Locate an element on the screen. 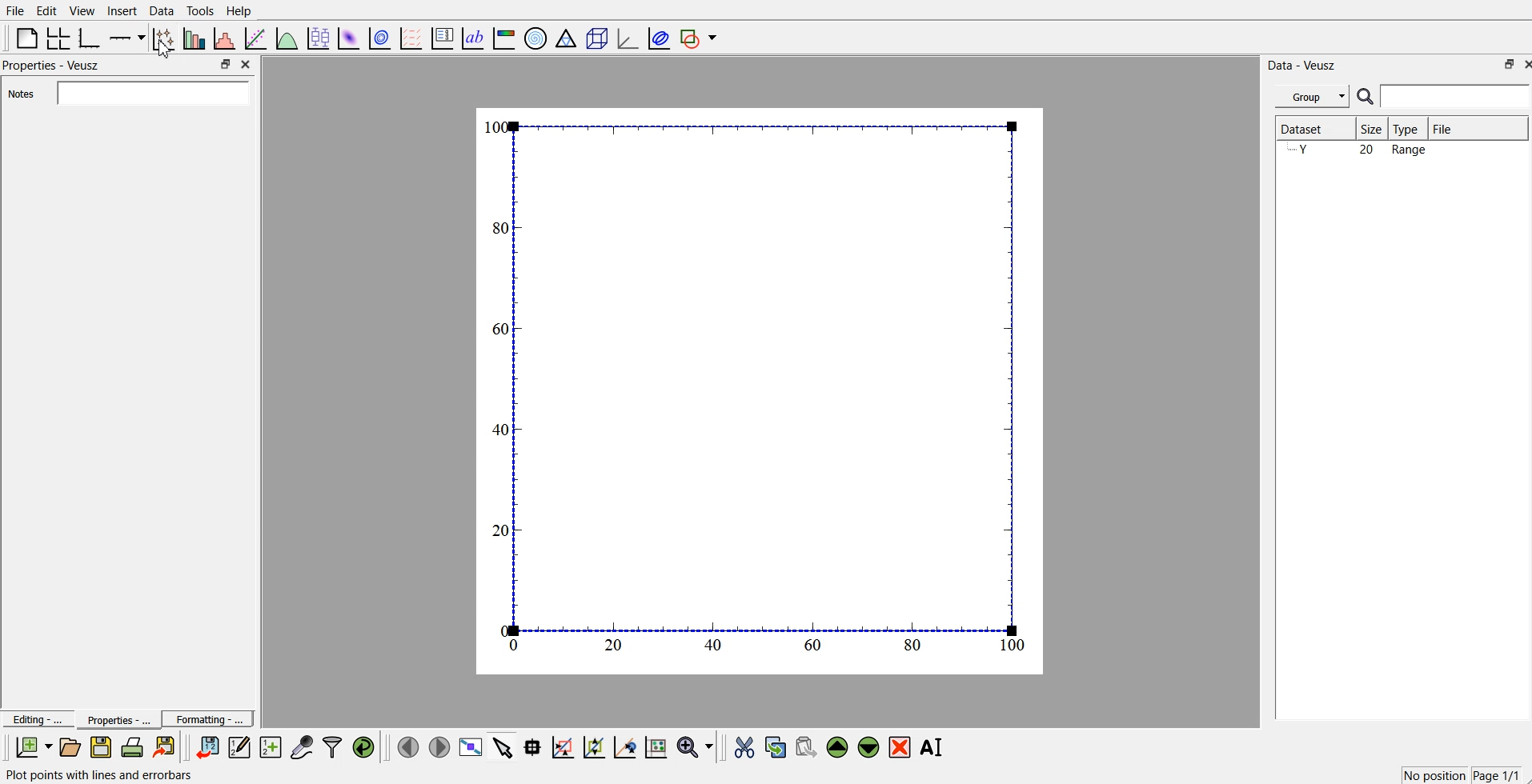 This screenshot has width=1532, height=784. histogram of dataset is located at coordinates (226, 38).